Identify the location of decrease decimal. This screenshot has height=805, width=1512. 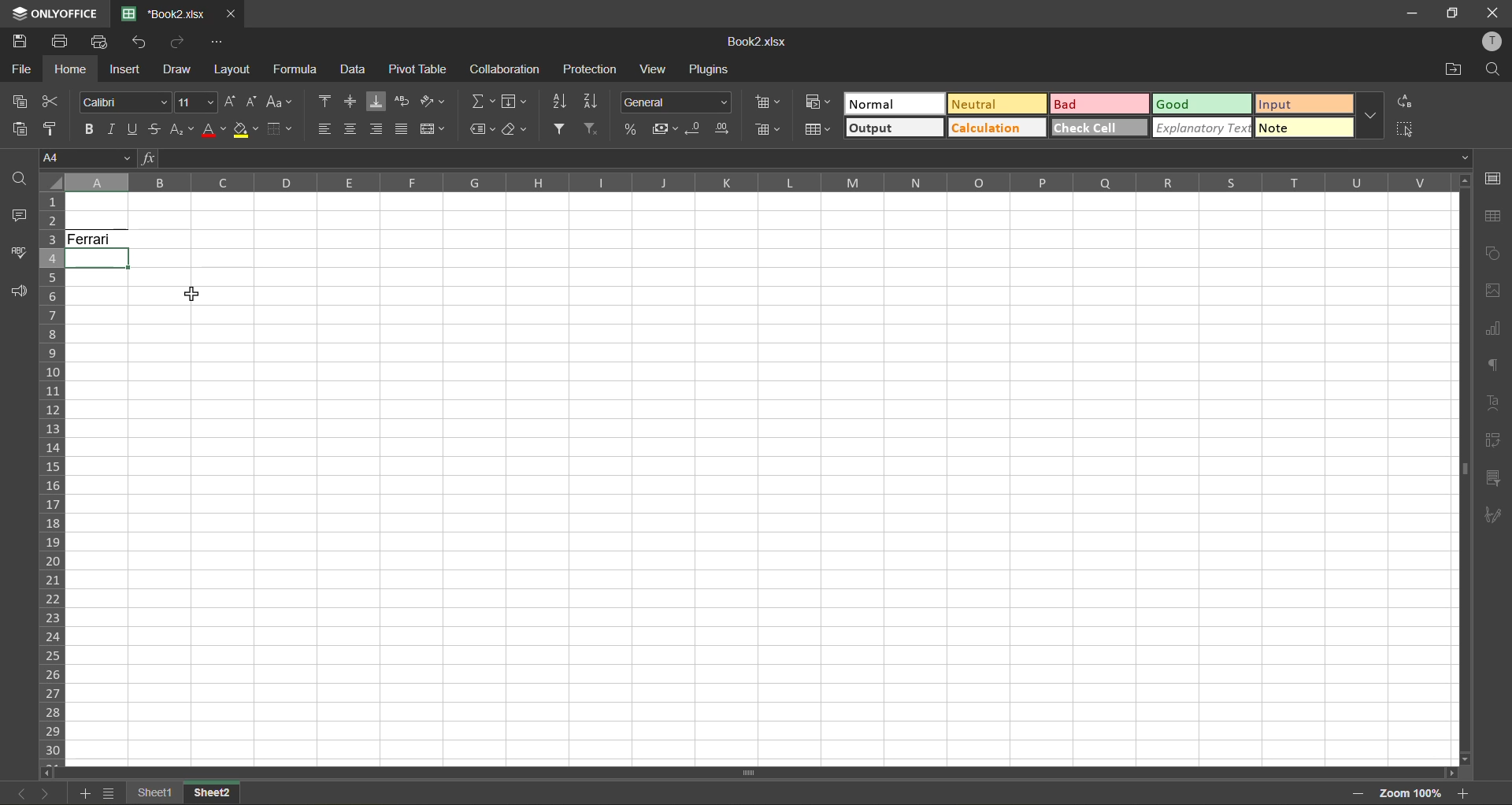
(691, 128).